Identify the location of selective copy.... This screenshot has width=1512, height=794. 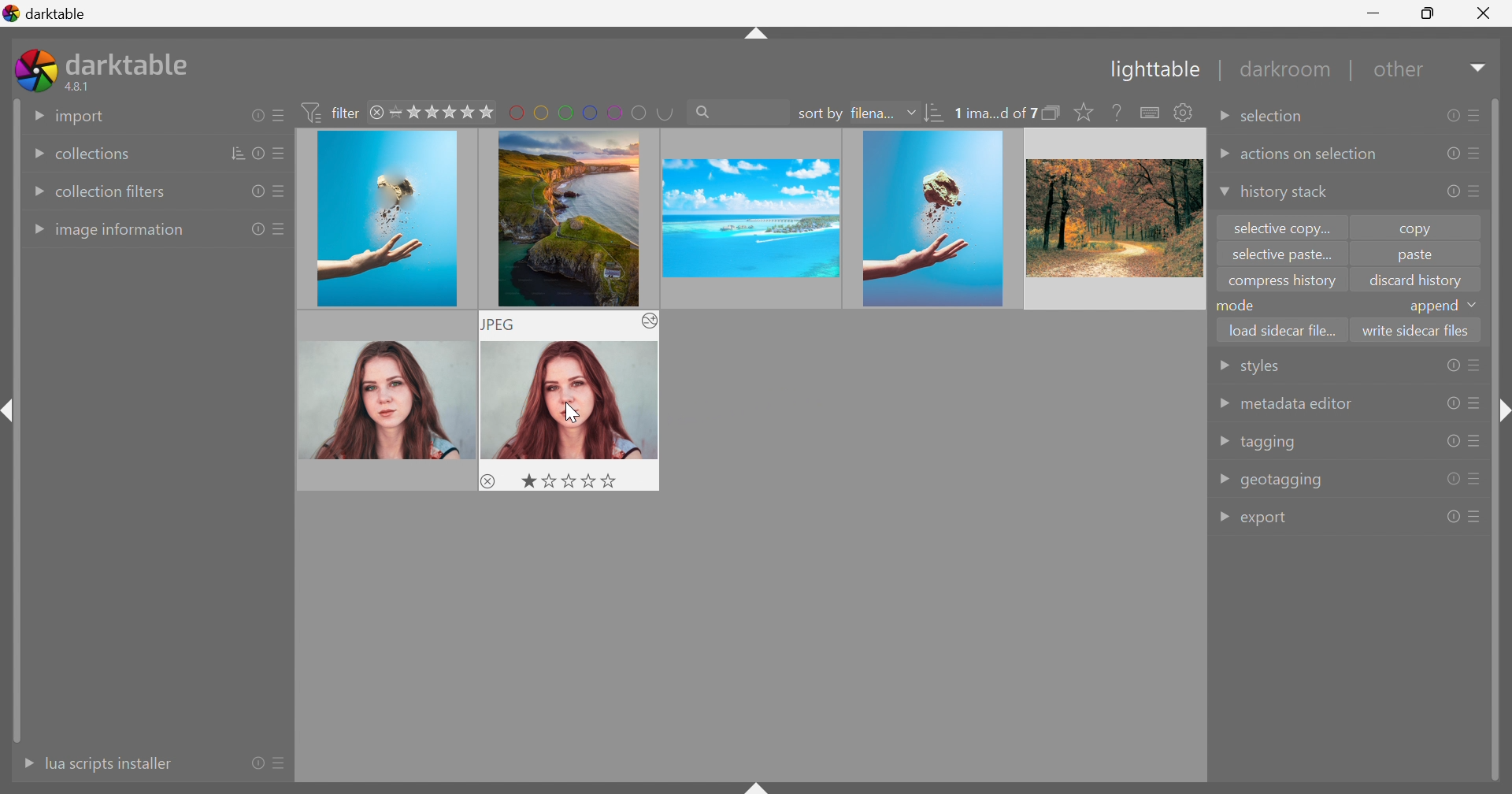
(1284, 228).